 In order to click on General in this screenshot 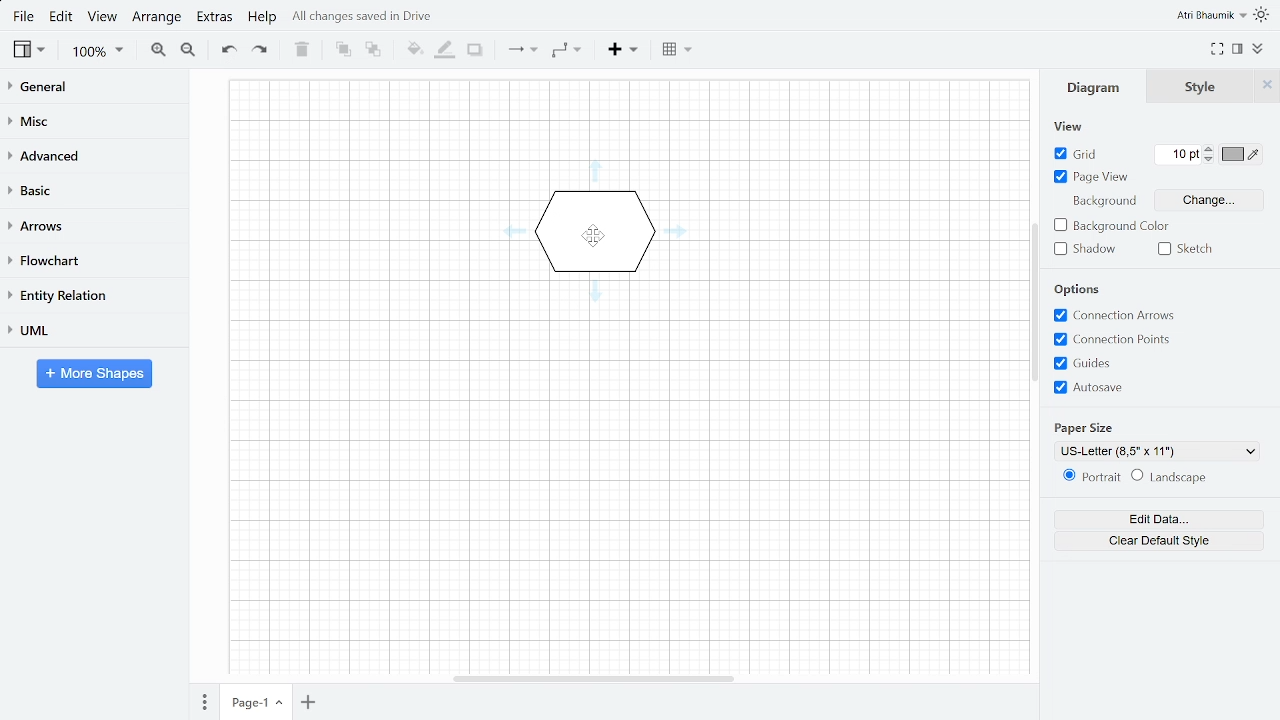, I will do `click(93, 88)`.